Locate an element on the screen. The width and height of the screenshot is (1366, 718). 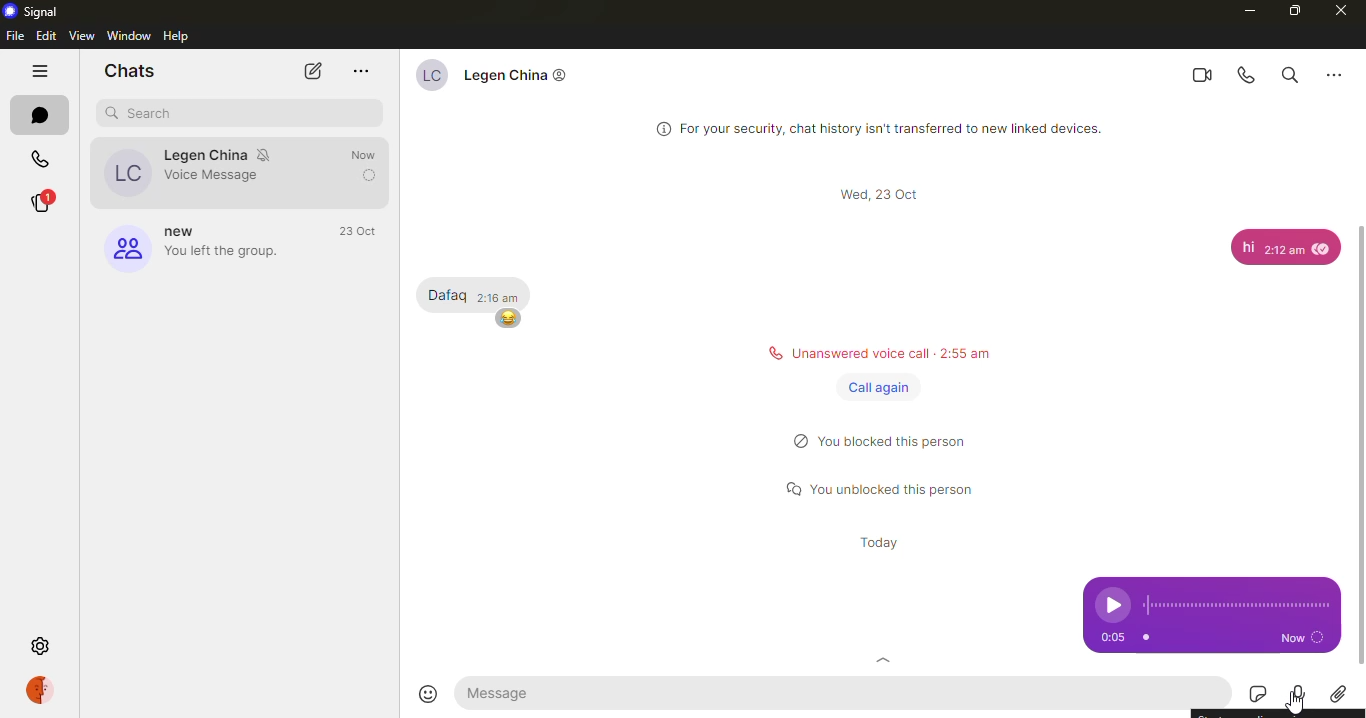
edit is located at coordinates (48, 36).